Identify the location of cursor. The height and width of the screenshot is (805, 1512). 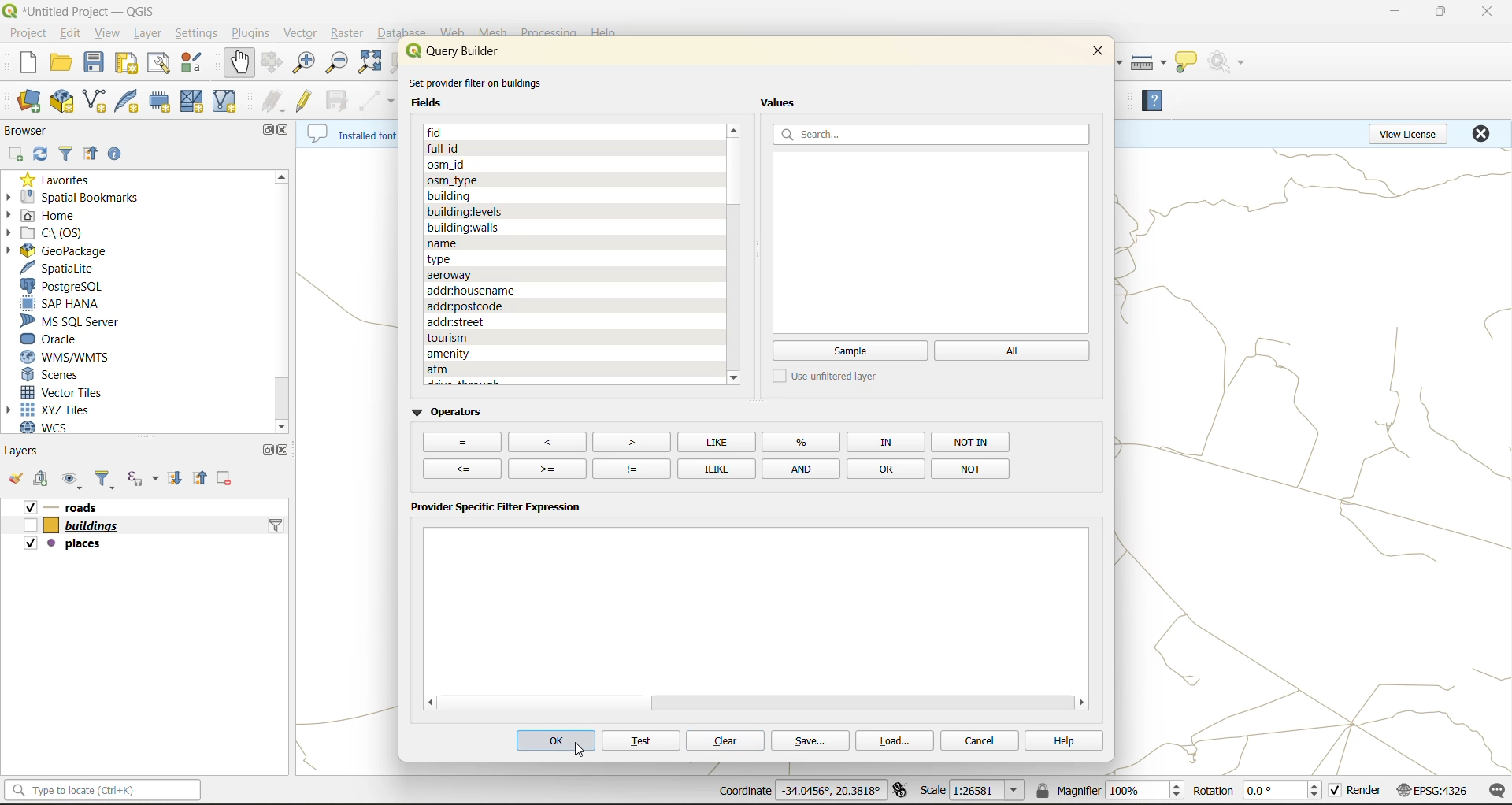
(582, 753).